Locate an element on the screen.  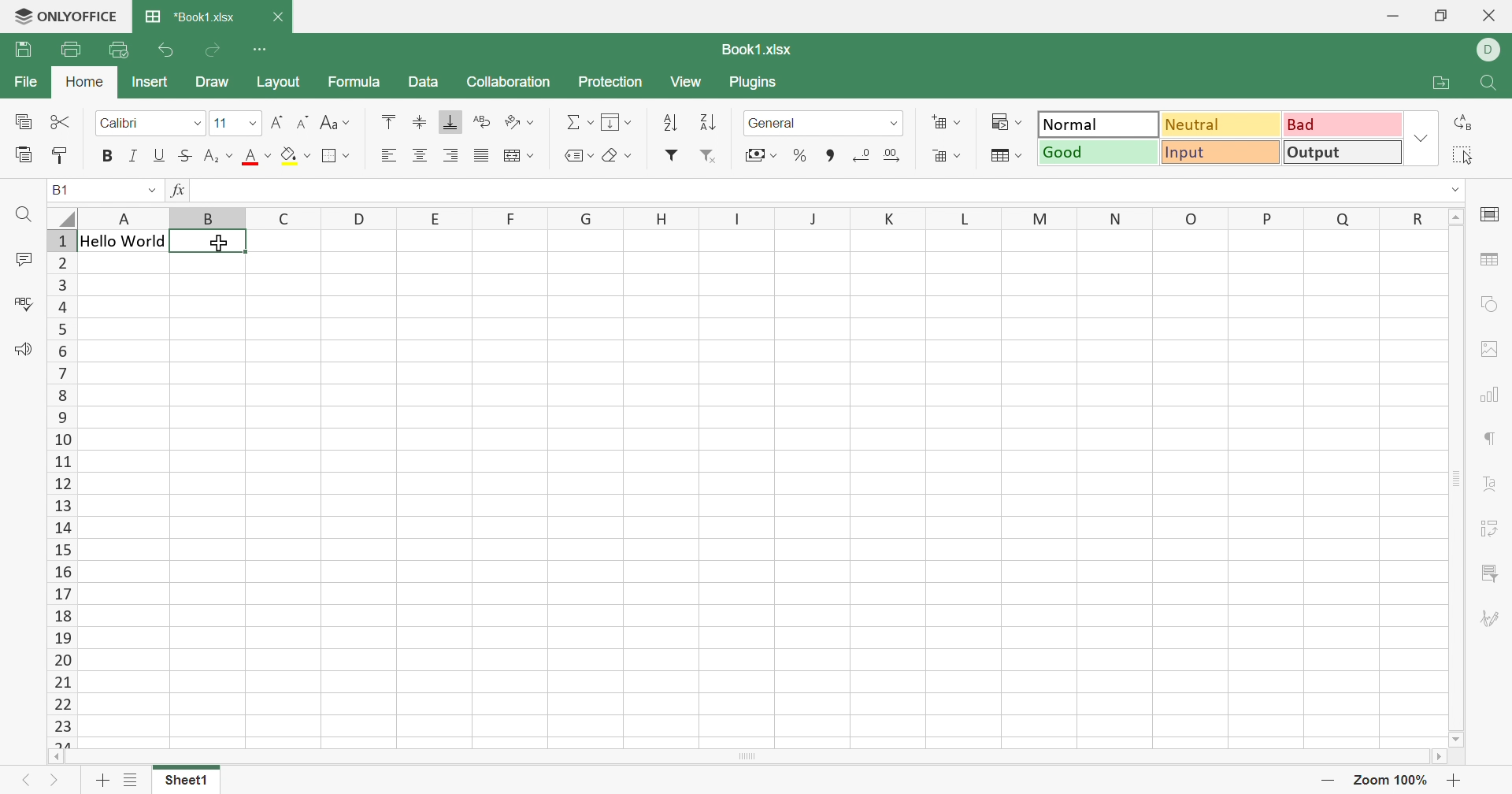
Hello world is located at coordinates (122, 242).